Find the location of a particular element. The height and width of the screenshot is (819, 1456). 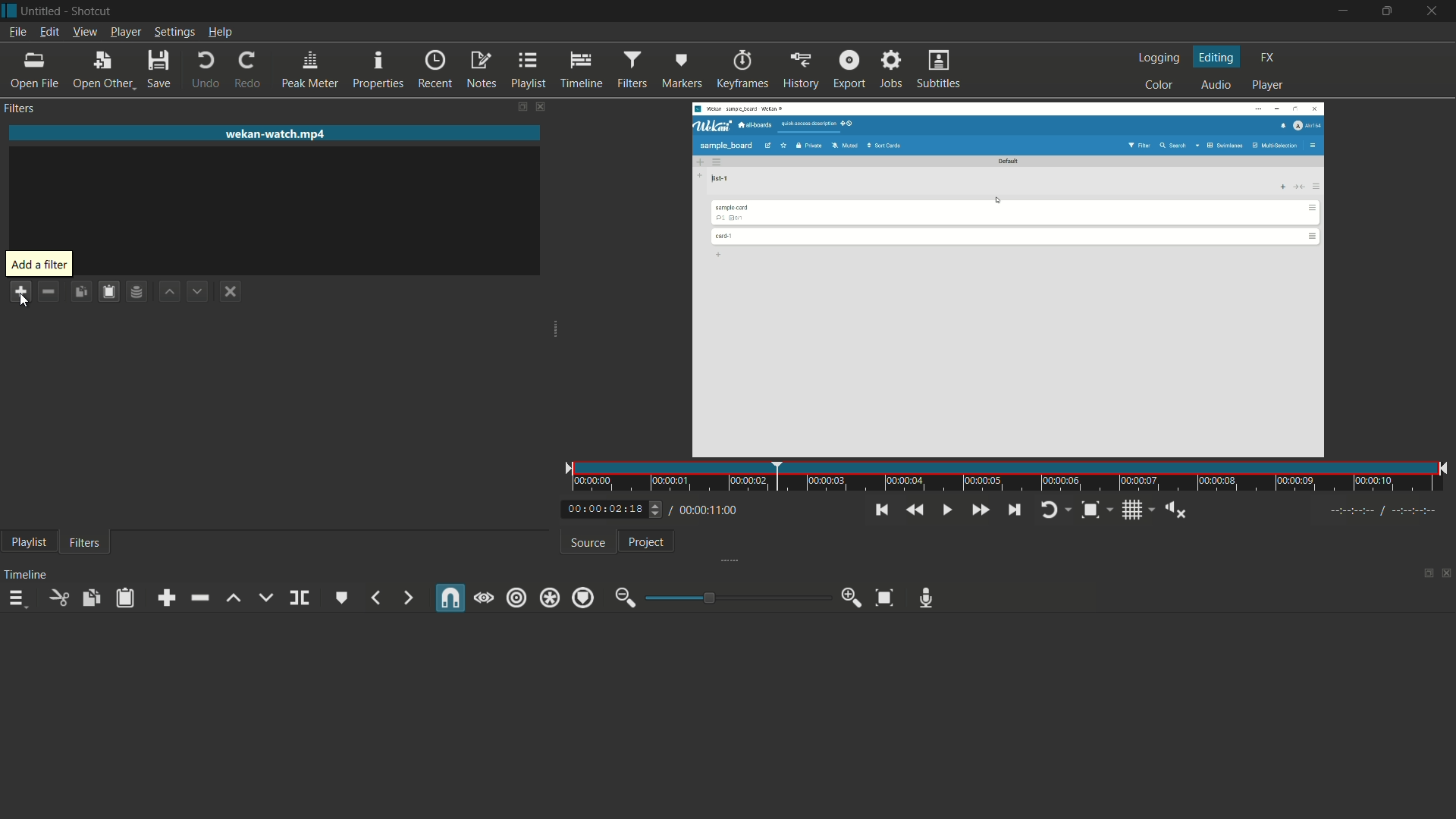

toggle play or pause is located at coordinates (946, 510).